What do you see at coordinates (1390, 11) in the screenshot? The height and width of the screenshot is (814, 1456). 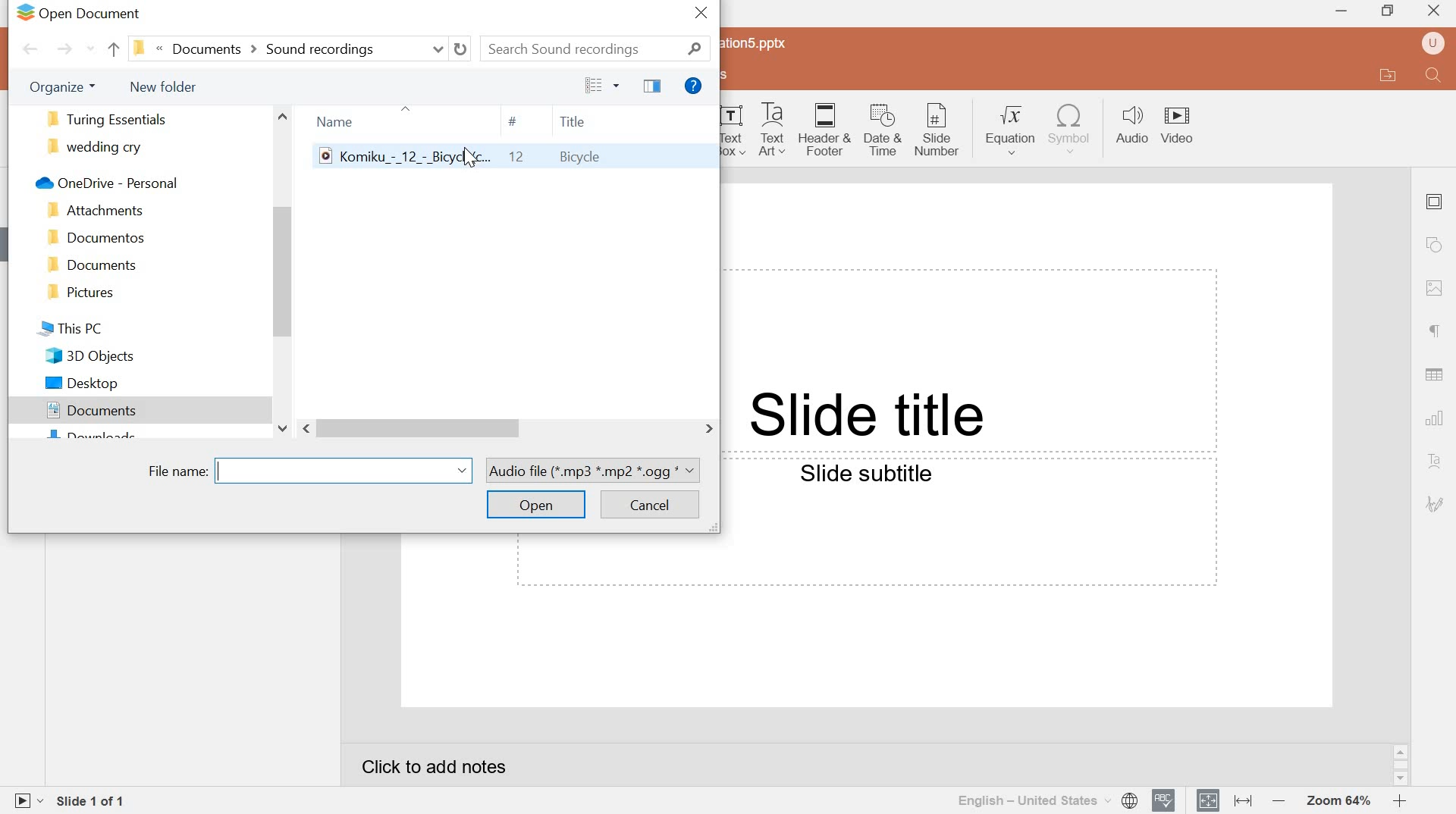 I see `Restore down` at bounding box center [1390, 11].